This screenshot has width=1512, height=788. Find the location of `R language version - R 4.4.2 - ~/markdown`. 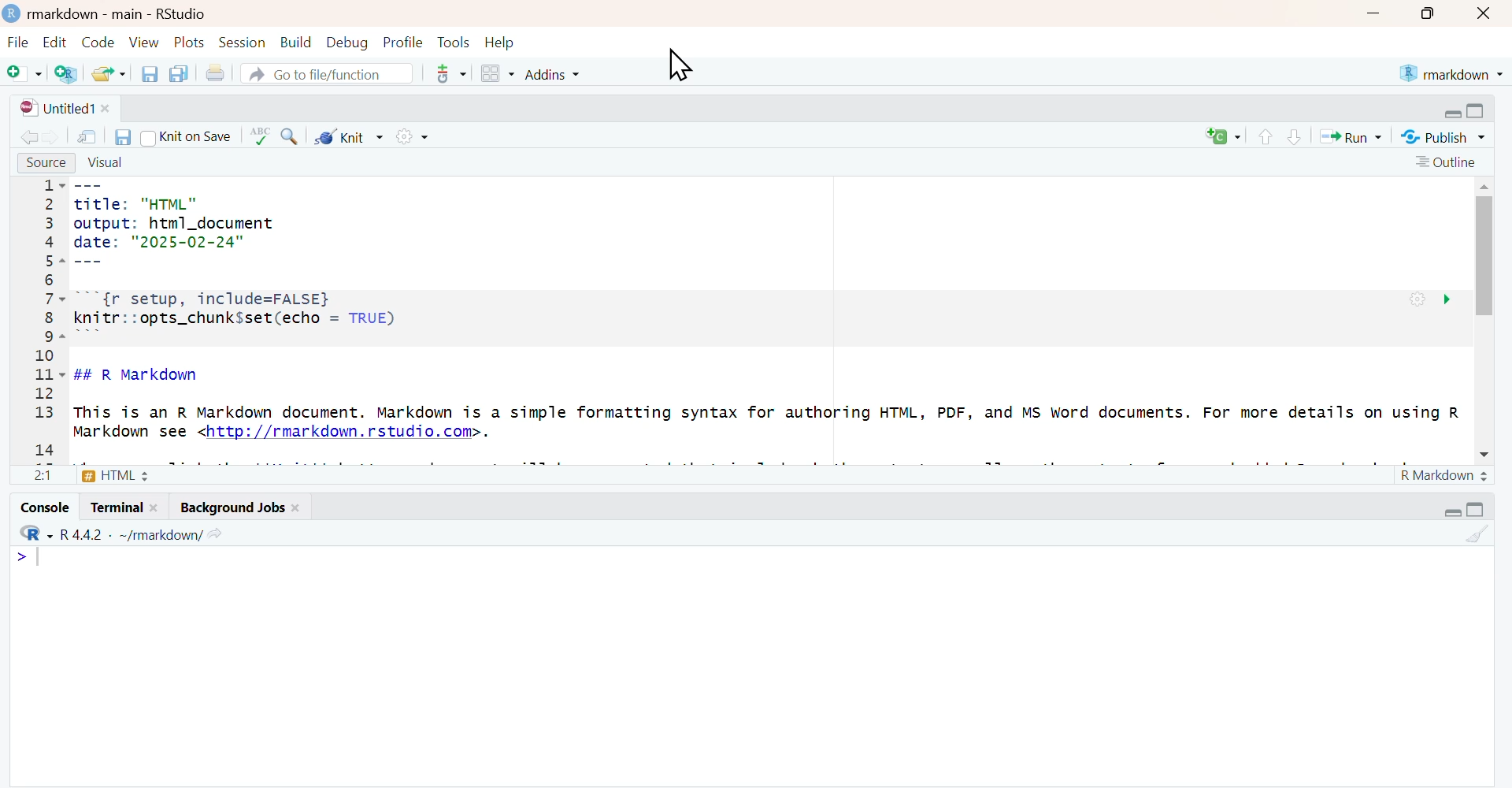

R language version - R 4.4.2 - ~/markdown is located at coordinates (126, 535).